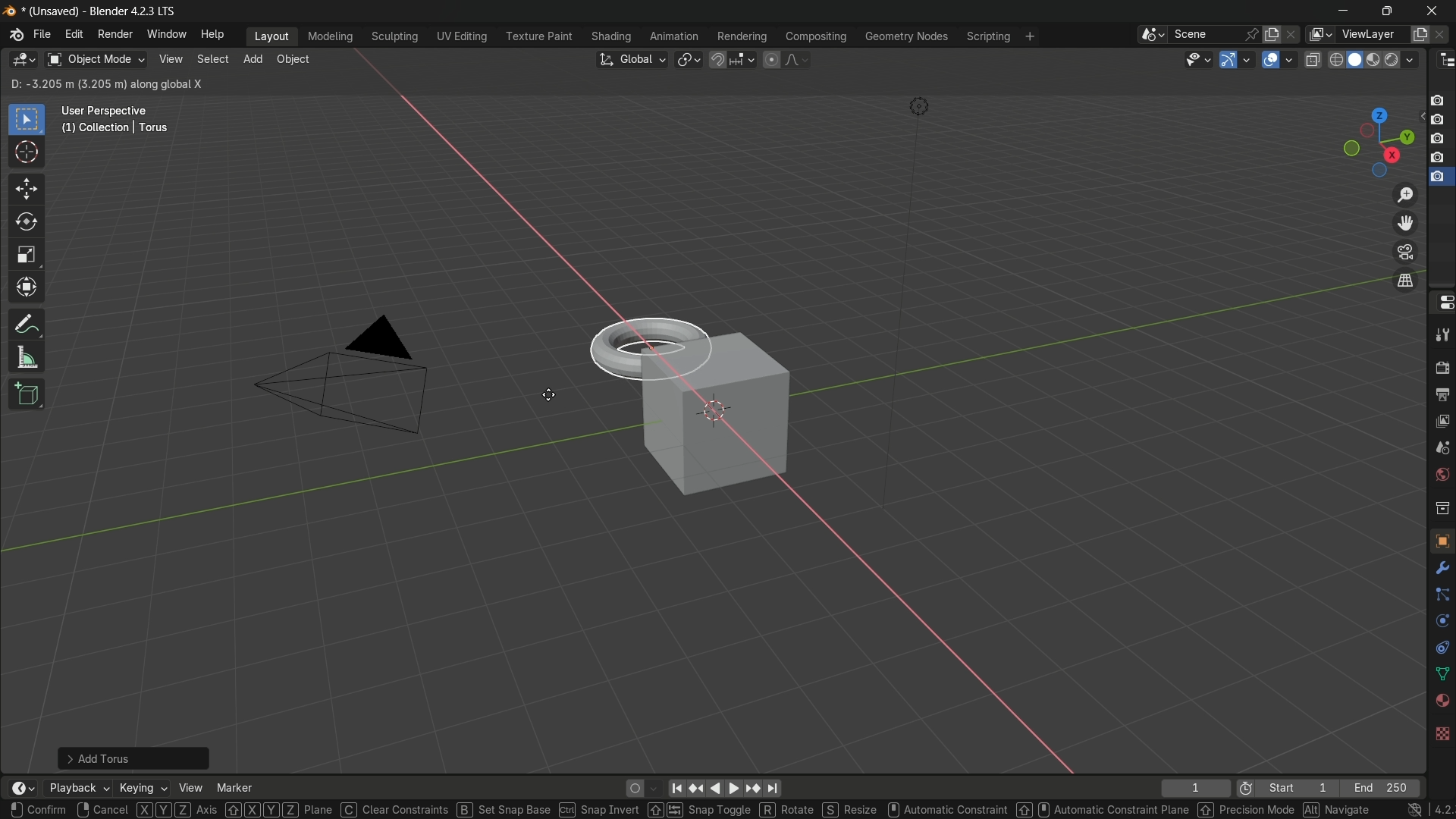 Image resolution: width=1456 pixels, height=819 pixels. Describe the element at coordinates (1313, 59) in the screenshot. I see `toggle x ray` at that location.